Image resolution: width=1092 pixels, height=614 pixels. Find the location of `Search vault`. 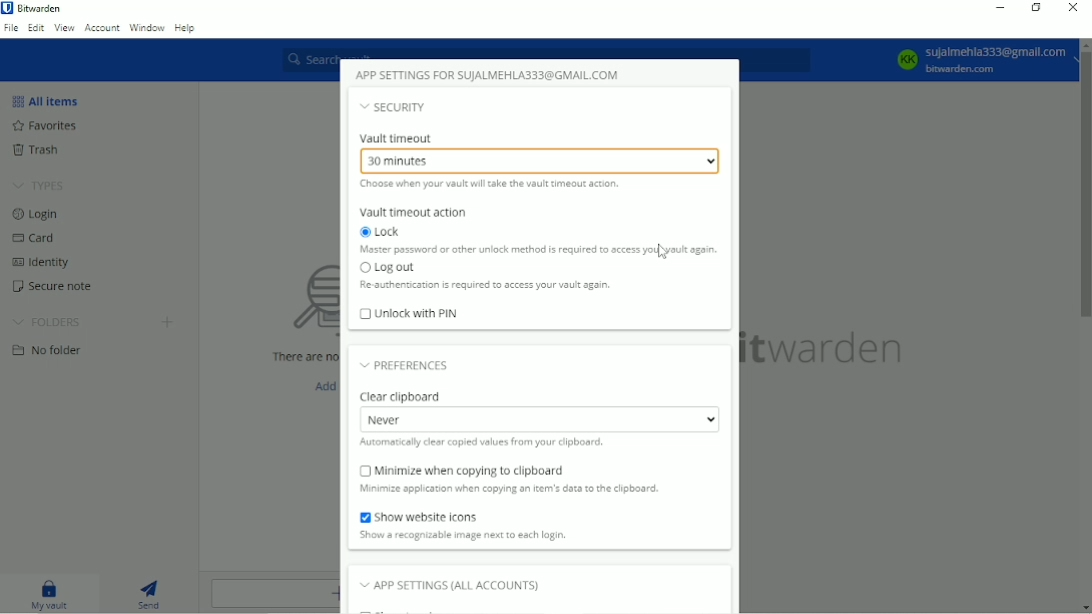

Search vault is located at coordinates (548, 50).